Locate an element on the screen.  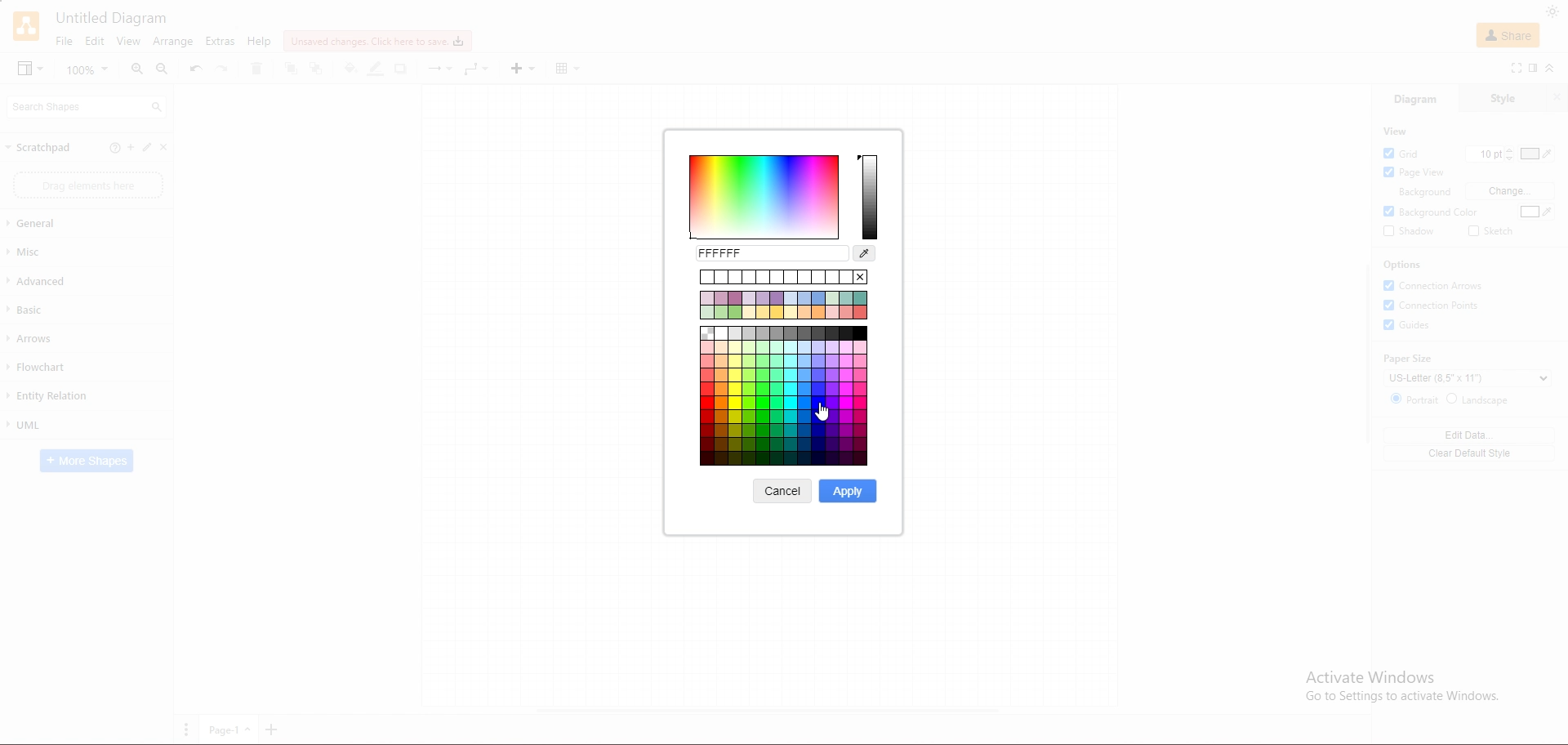
color options is located at coordinates (754, 411).